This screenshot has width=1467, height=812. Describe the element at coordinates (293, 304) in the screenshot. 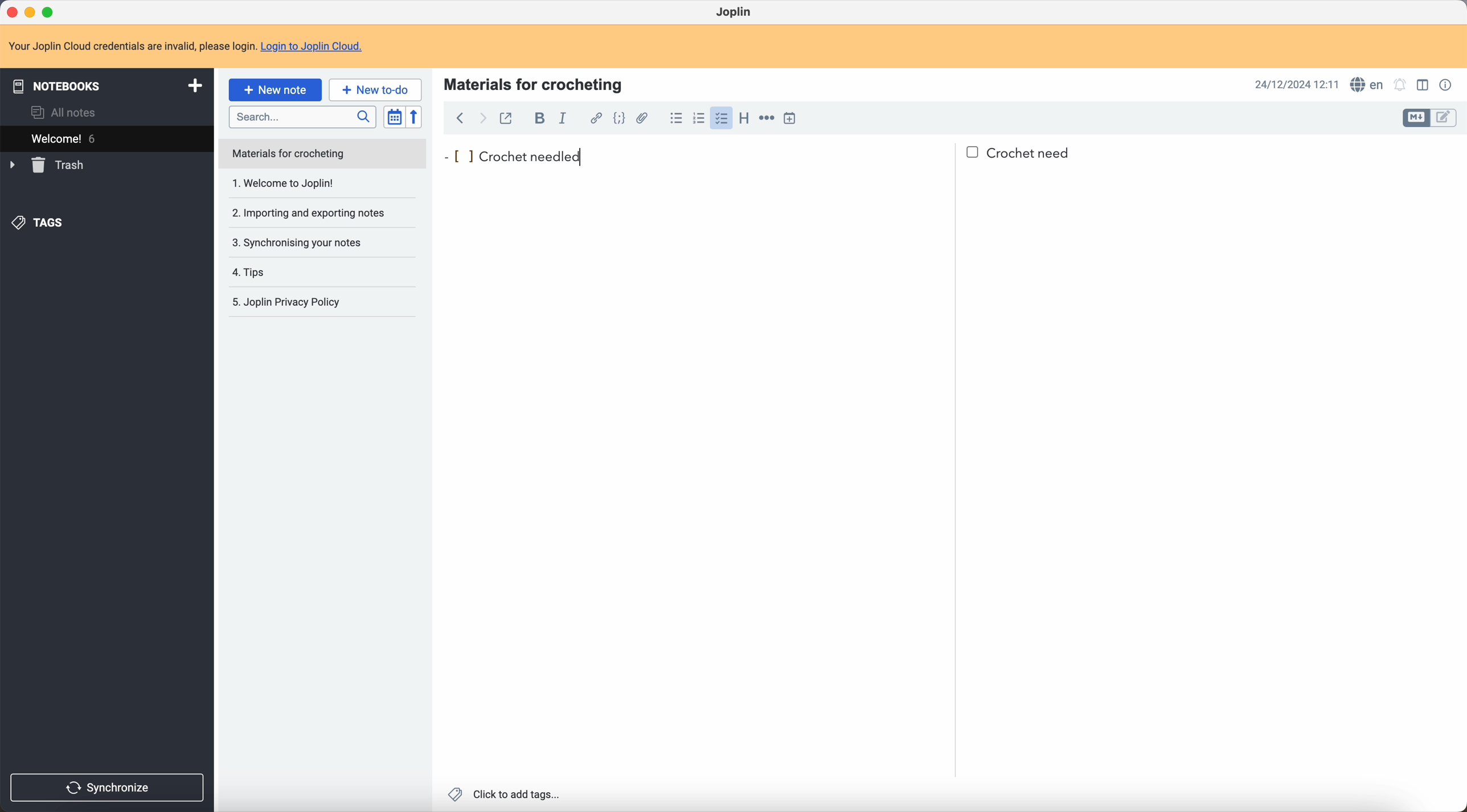

I see `Joplin privacy policy` at that location.